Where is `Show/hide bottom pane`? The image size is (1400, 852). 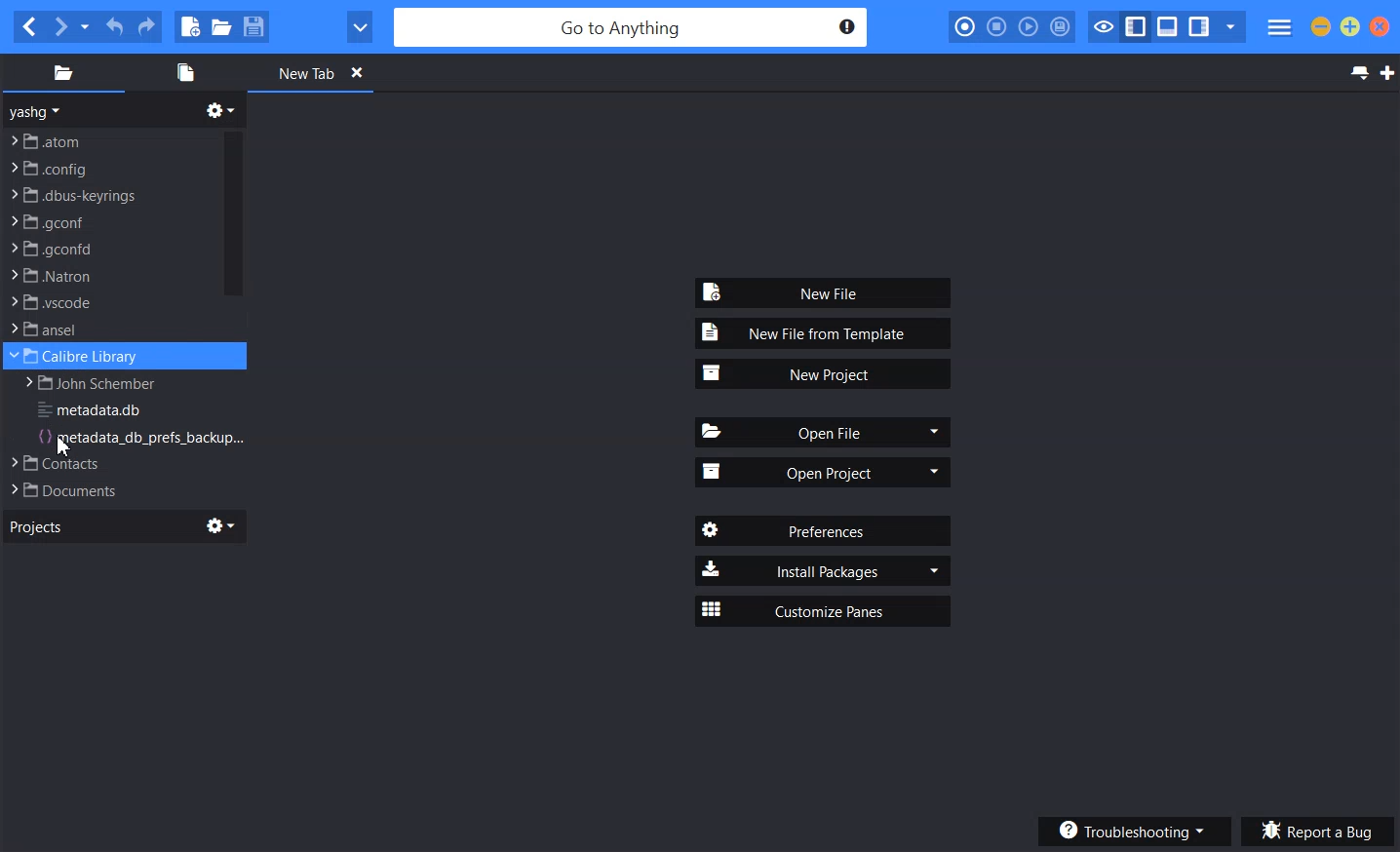
Show/hide bottom pane is located at coordinates (1168, 27).